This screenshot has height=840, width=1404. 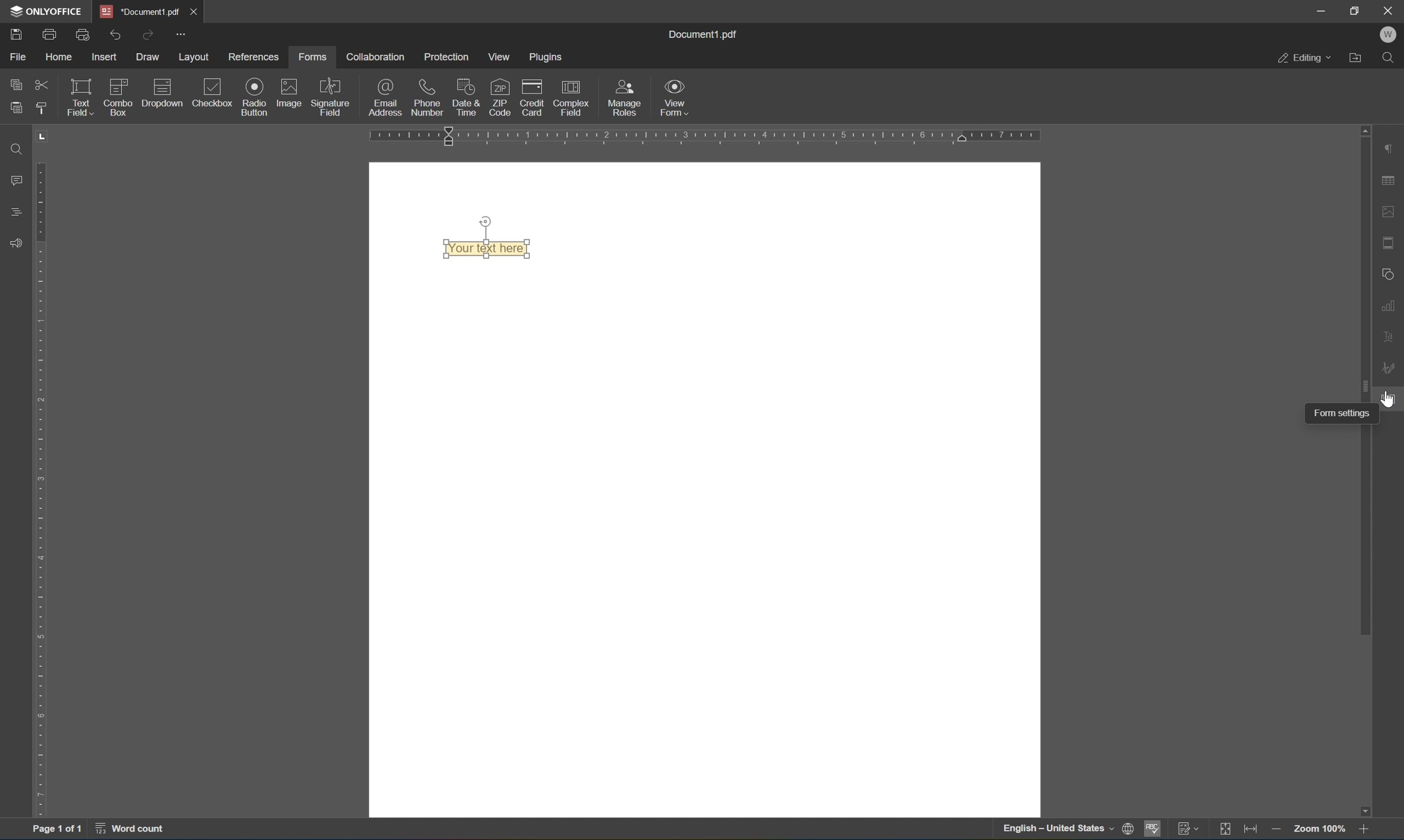 What do you see at coordinates (547, 57) in the screenshot?
I see `plugins` at bounding box center [547, 57].